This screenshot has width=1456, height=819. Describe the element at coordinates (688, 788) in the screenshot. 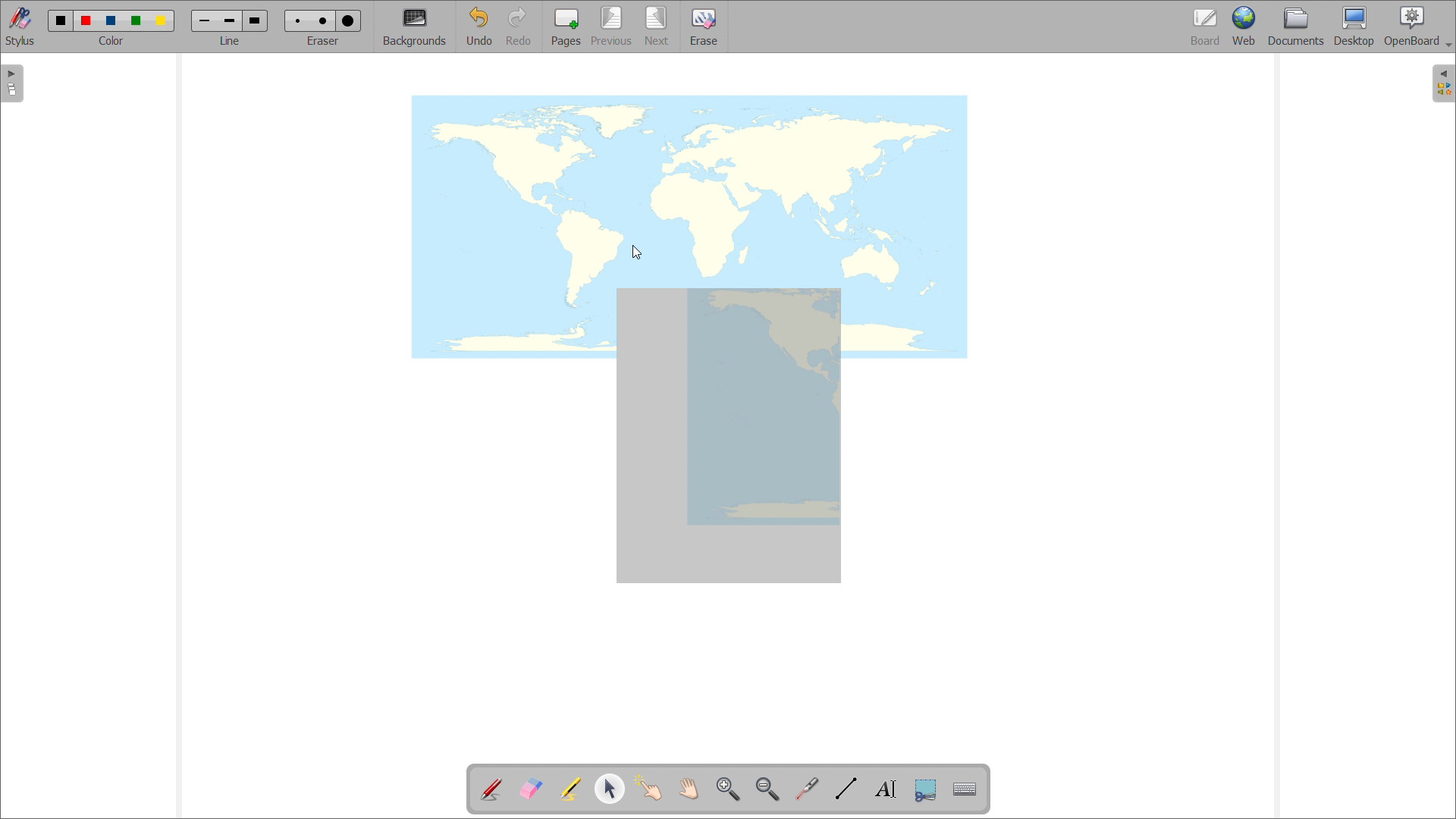

I see `scroll page` at that location.